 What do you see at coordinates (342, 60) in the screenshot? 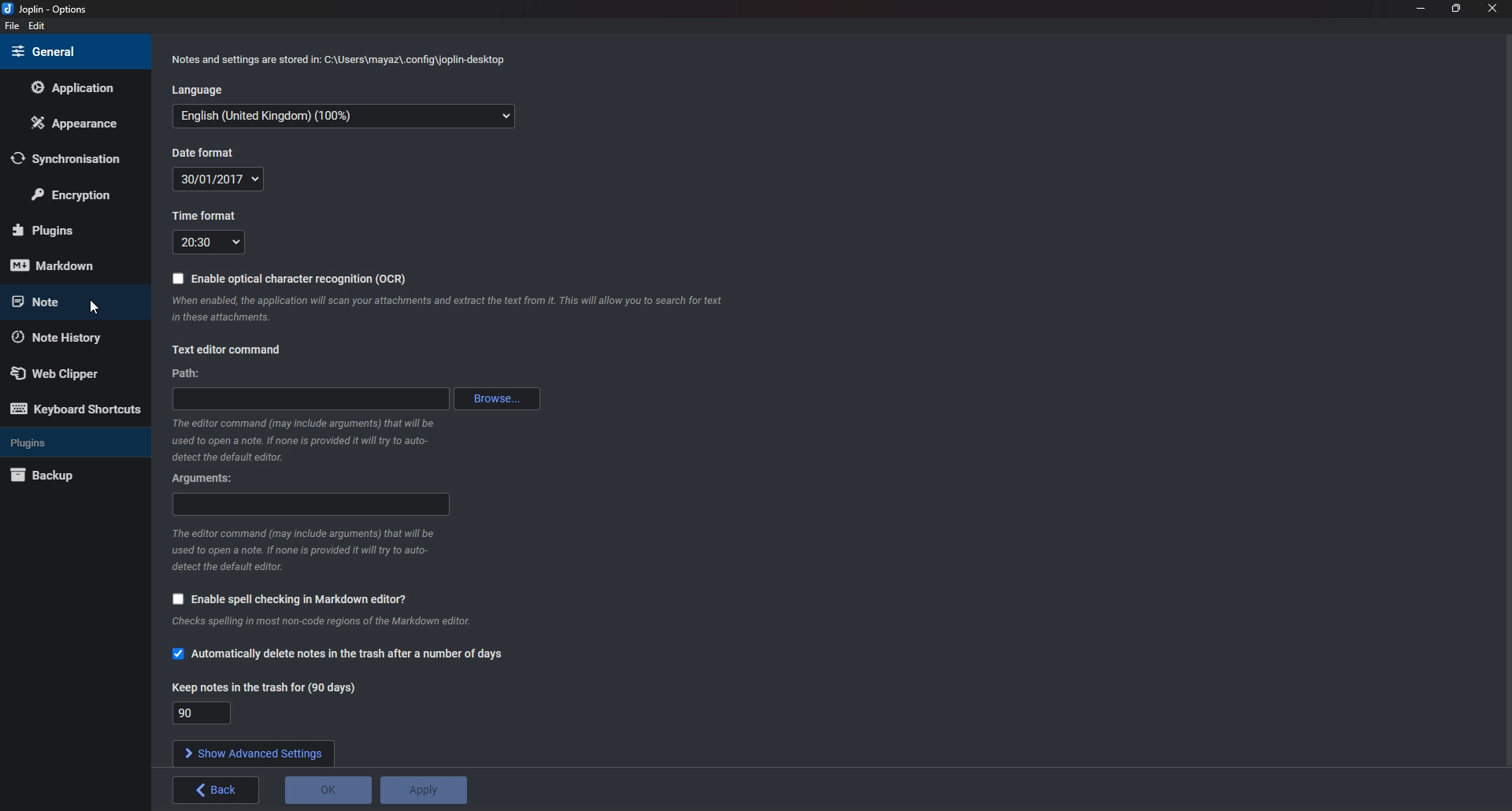
I see `Notes and settings are stored in: C:\Users\mayaz\.config\joplin-desktop` at bounding box center [342, 60].